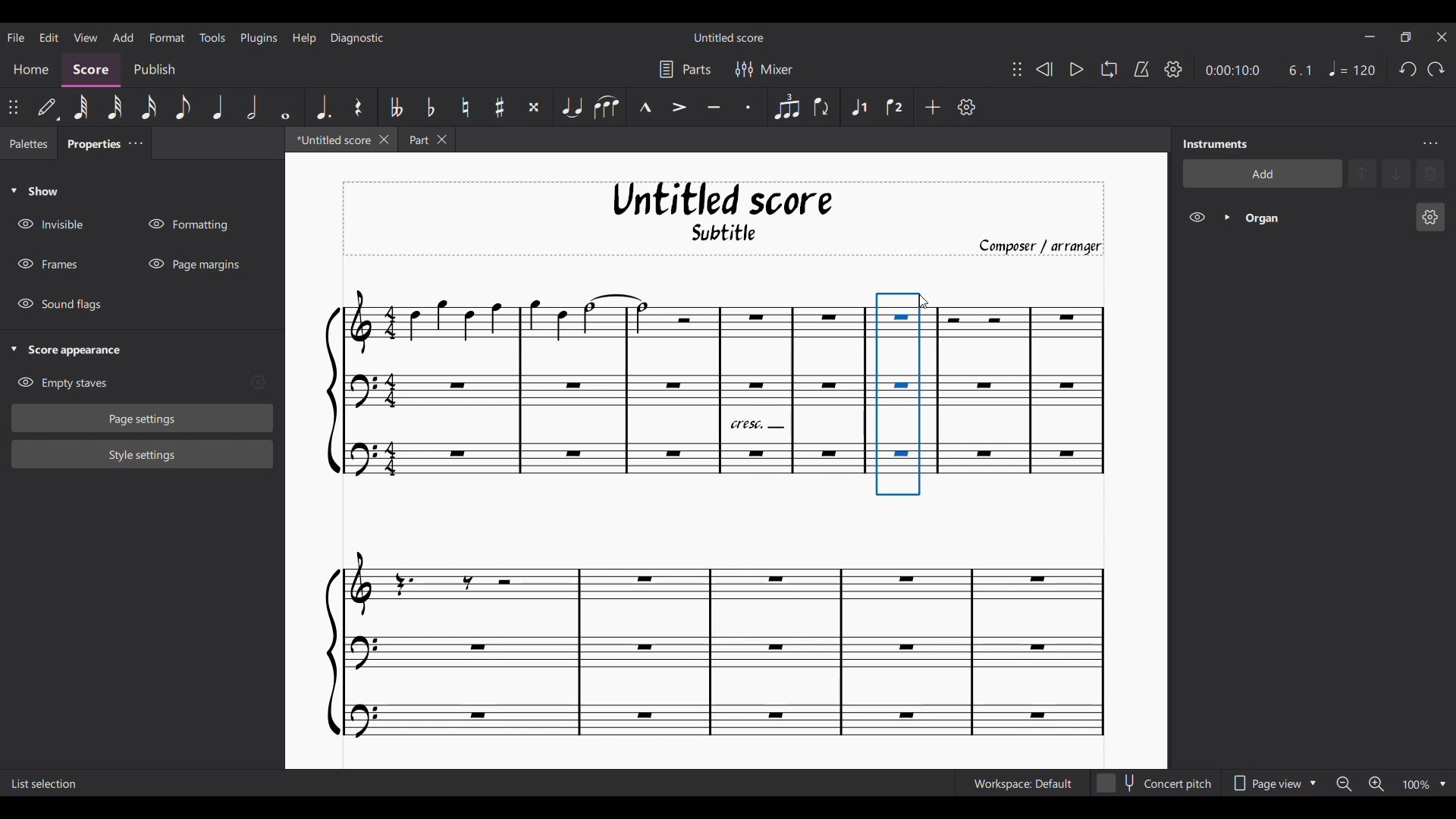  What do you see at coordinates (1197, 218) in the screenshot?
I see `Hide Organs on score` at bounding box center [1197, 218].